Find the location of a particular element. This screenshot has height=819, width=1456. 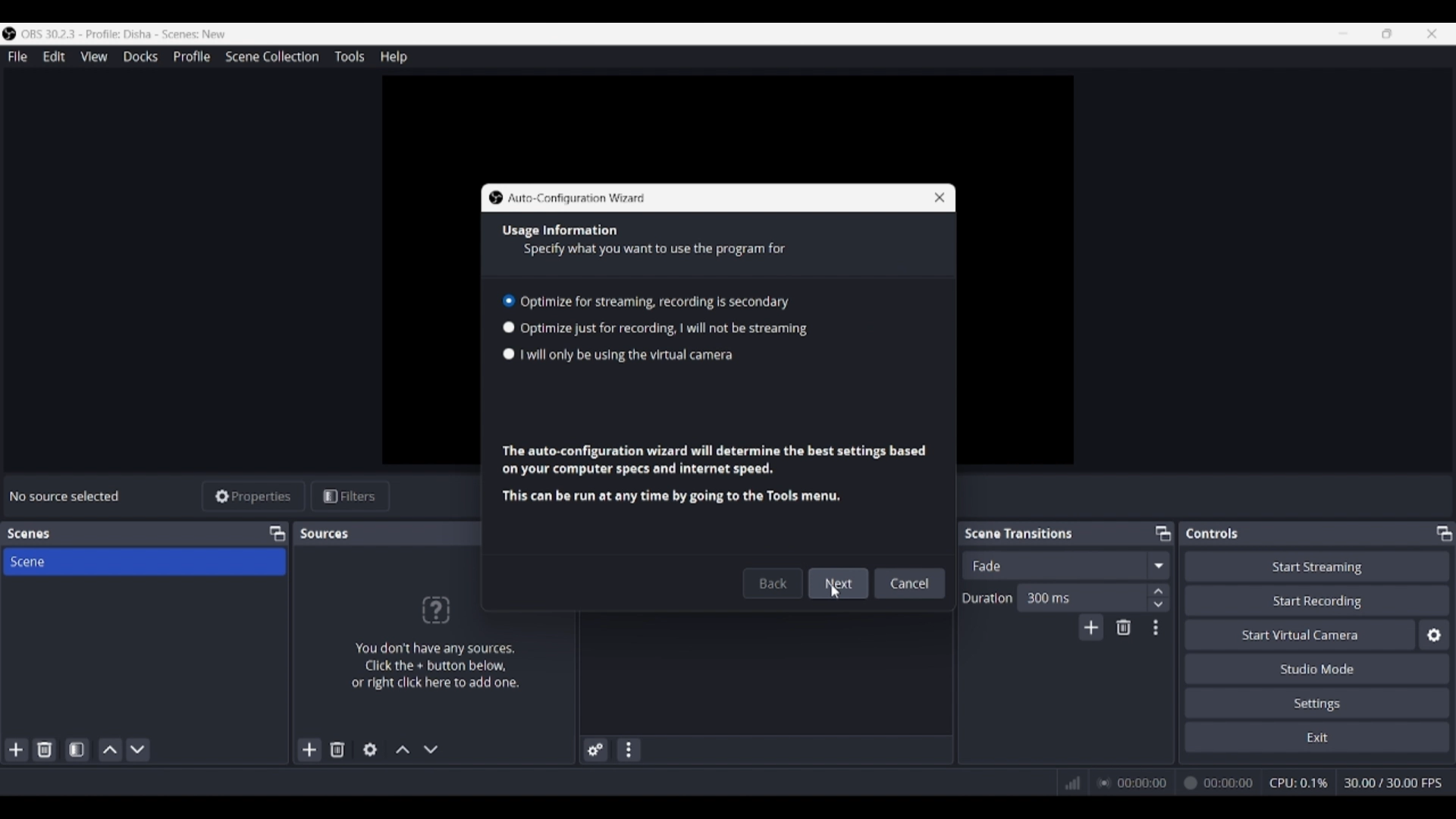

Float scenes is located at coordinates (277, 534).